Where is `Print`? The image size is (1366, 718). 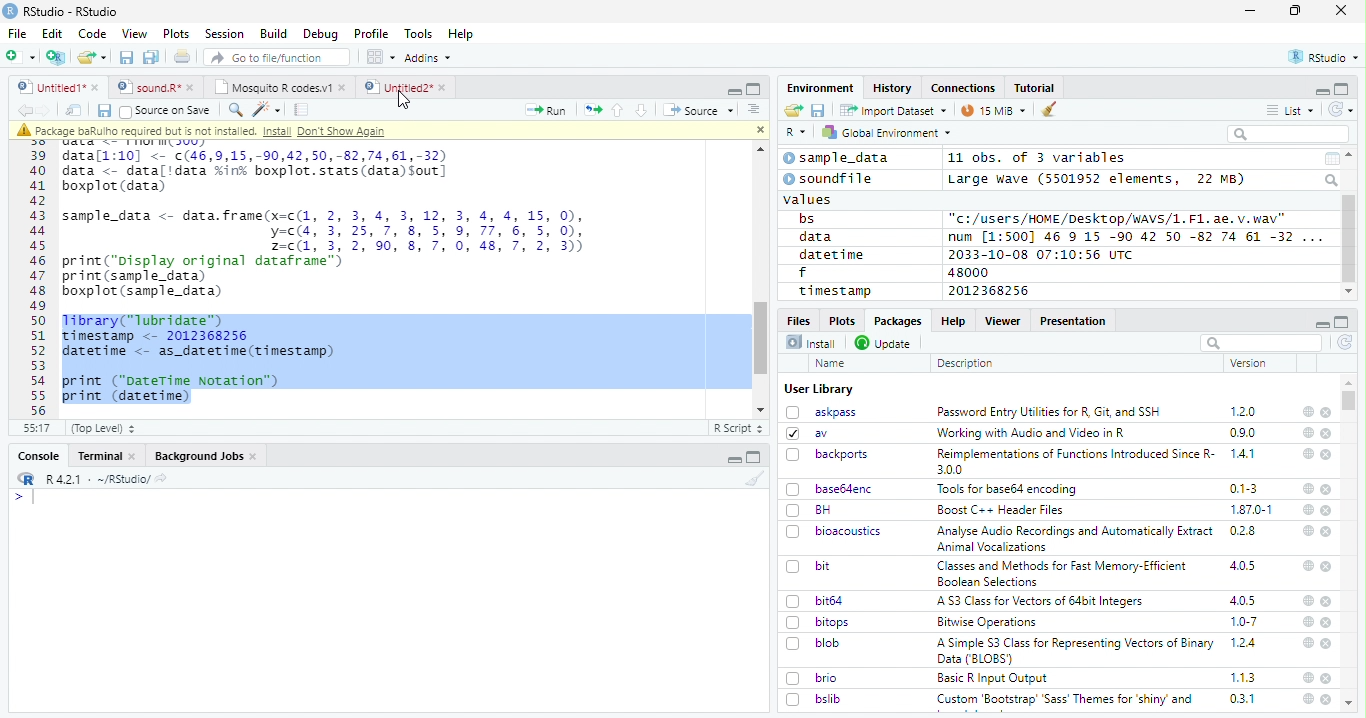
Print is located at coordinates (183, 56).